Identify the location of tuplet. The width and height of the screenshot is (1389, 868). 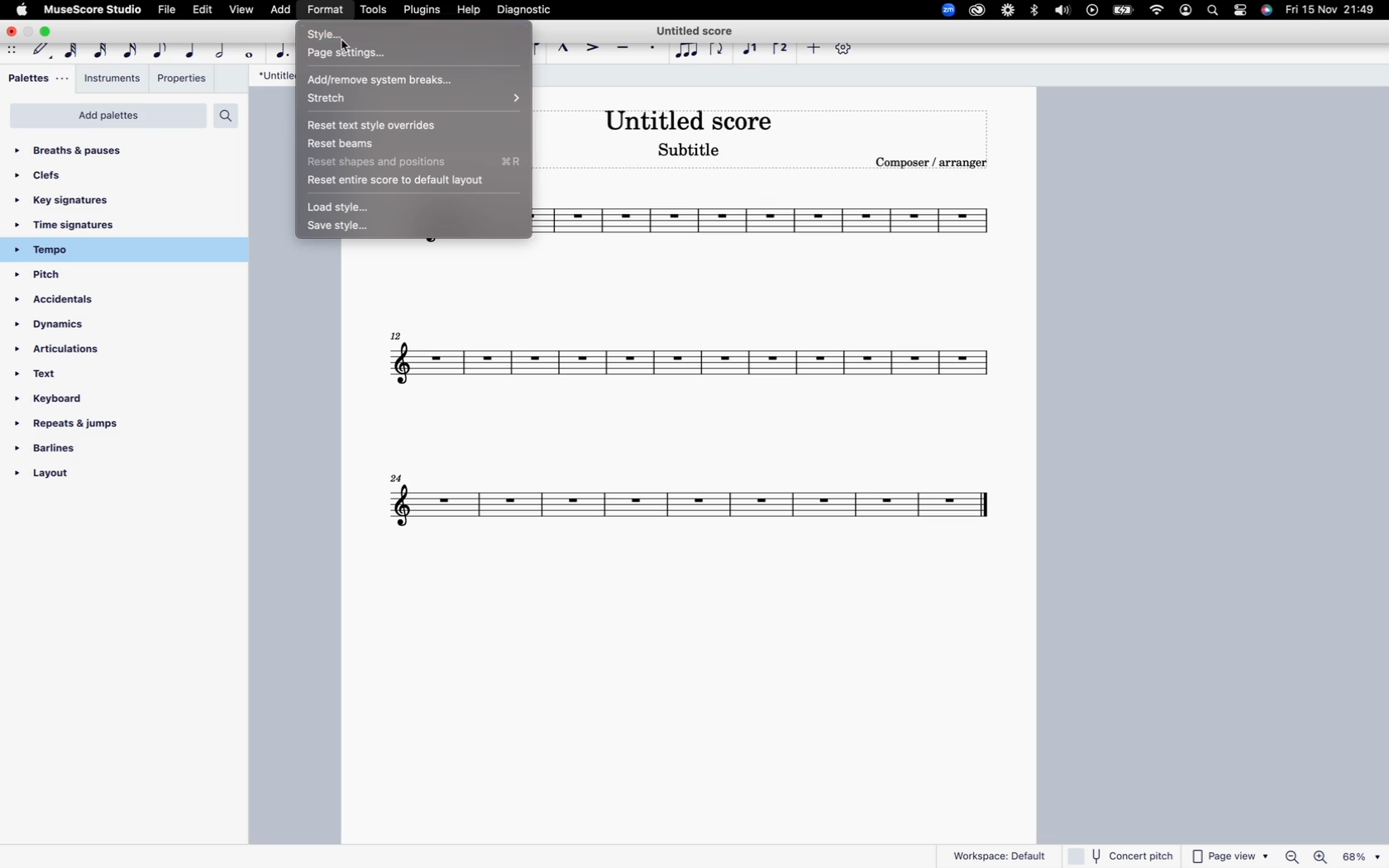
(687, 51).